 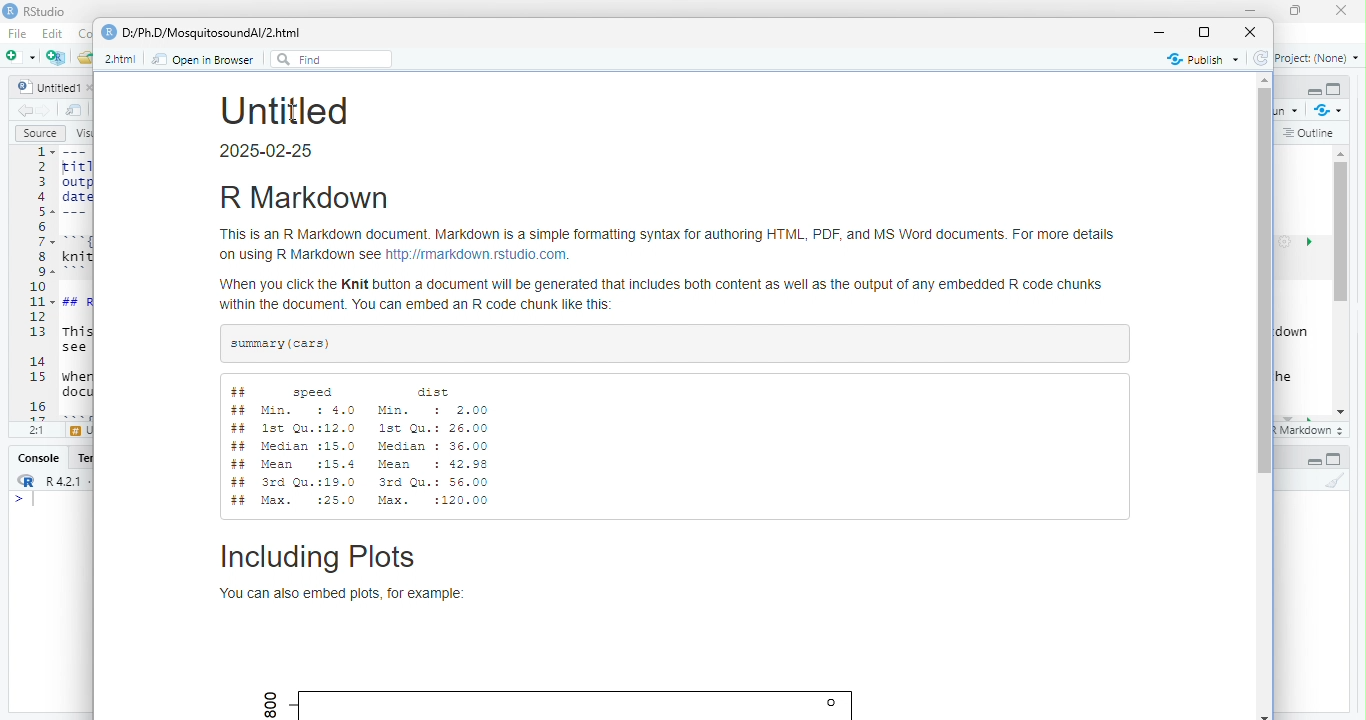 What do you see at coordinates (22, 56) in the screenshot?
I see `open file` at bounding box center [22, 56].